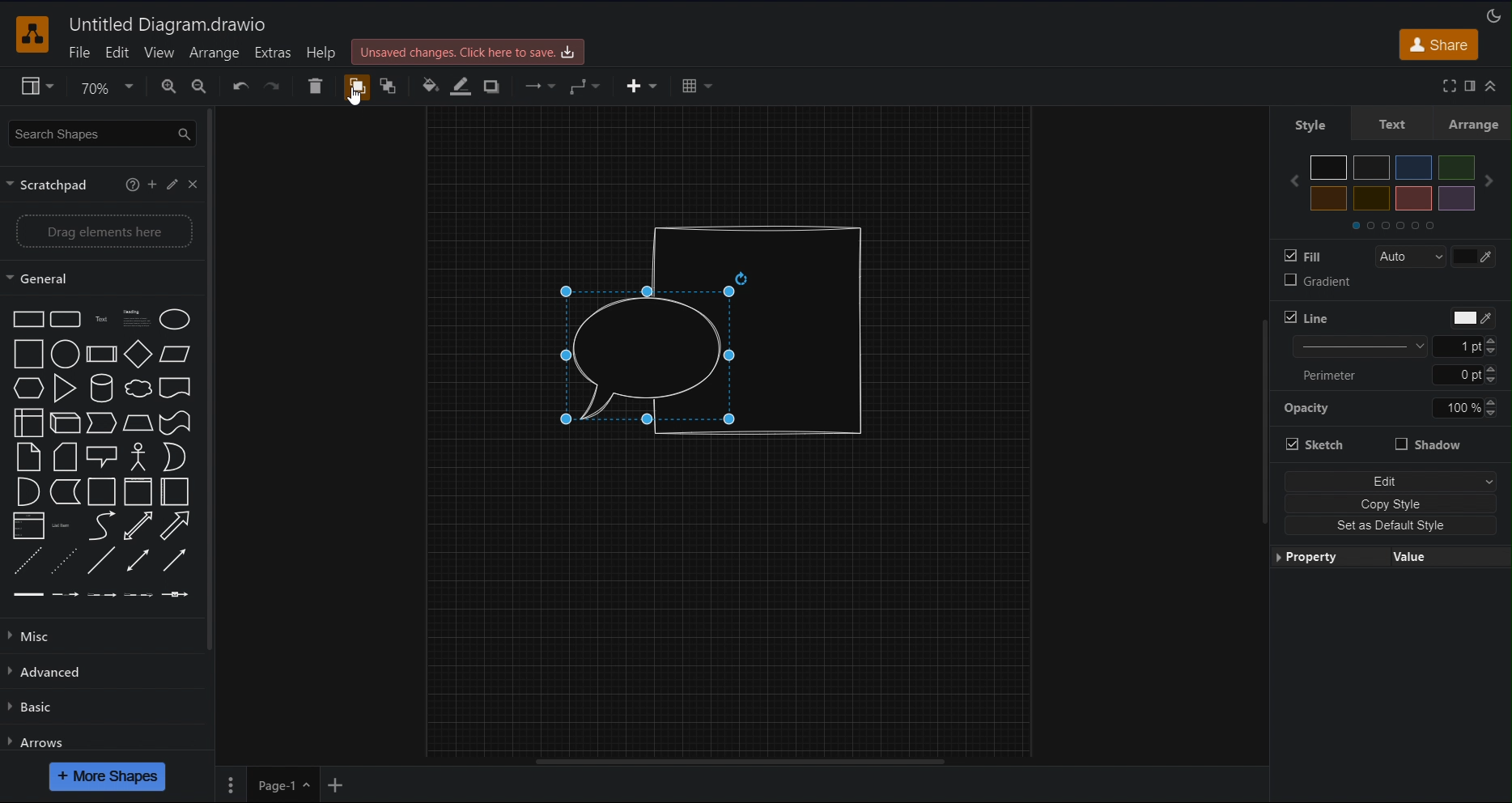 Image resolution: width=1512 pixels, height=803 pixels. What do you see at coordinates (29, 388) in the screenshot?
I see `Hexagon` at bounding box center [29, 388].